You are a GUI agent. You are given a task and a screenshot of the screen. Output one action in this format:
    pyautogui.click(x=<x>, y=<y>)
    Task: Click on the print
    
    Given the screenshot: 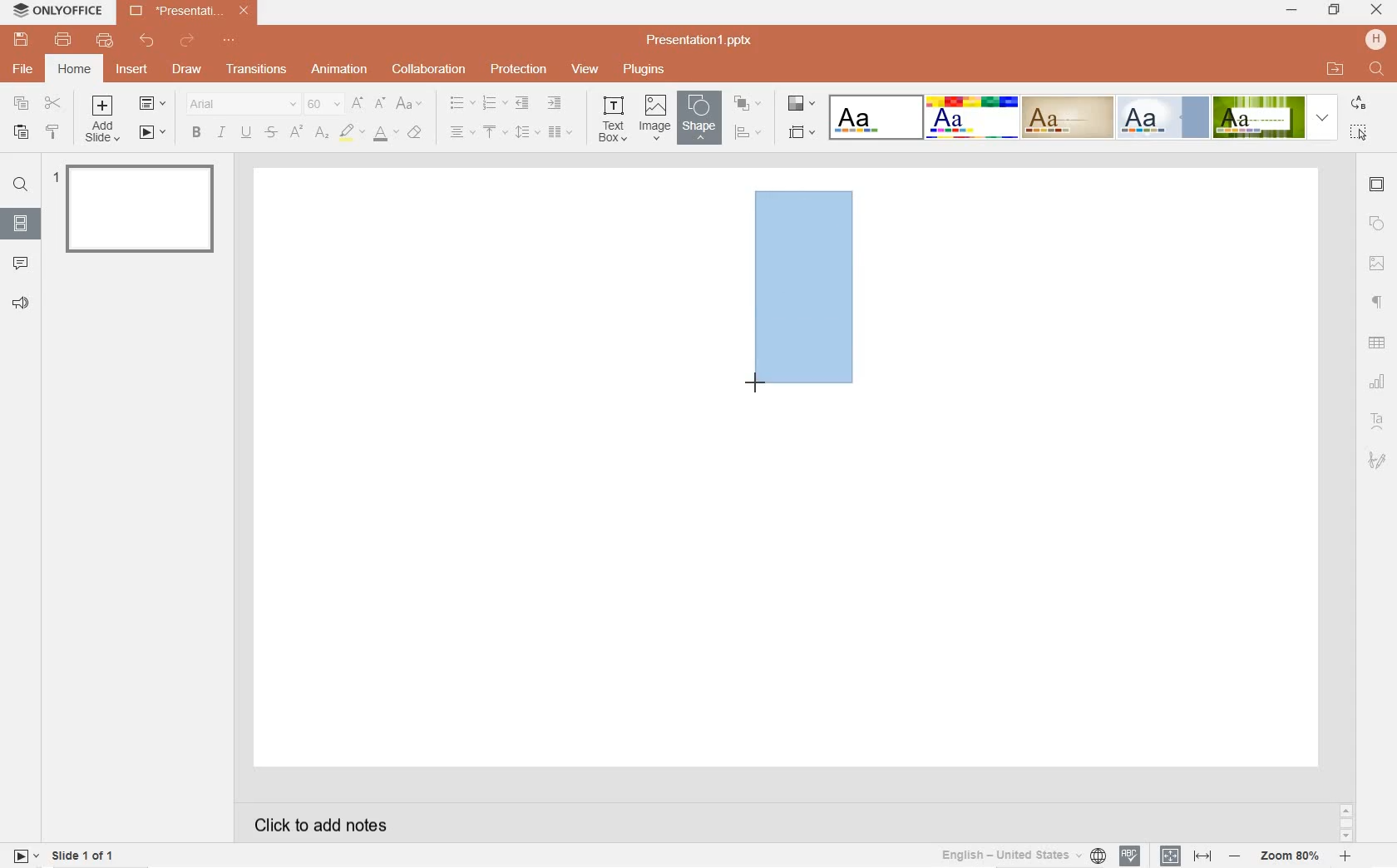 What is the action you would take?
    pyautogui.click(x=64, y=40)
    